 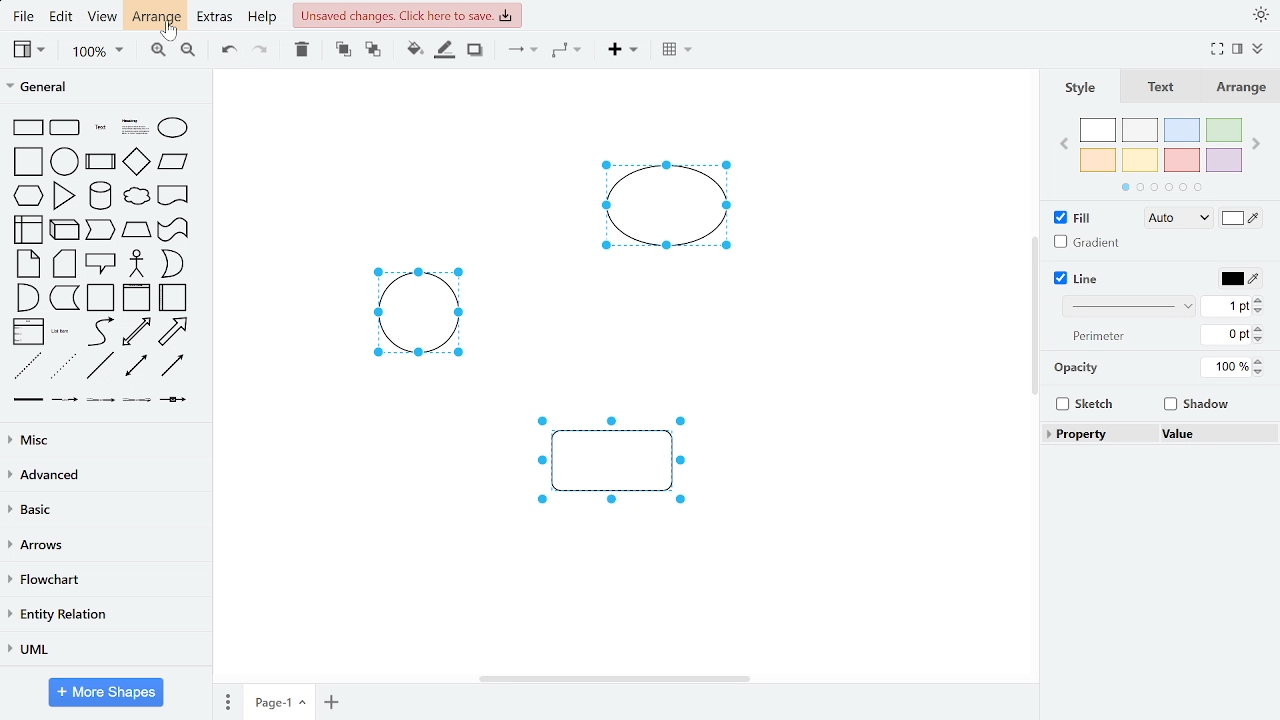 What do you see at coordinates (674, 51) in the screenshot?
I see `table` at bounding box center [674, 51].